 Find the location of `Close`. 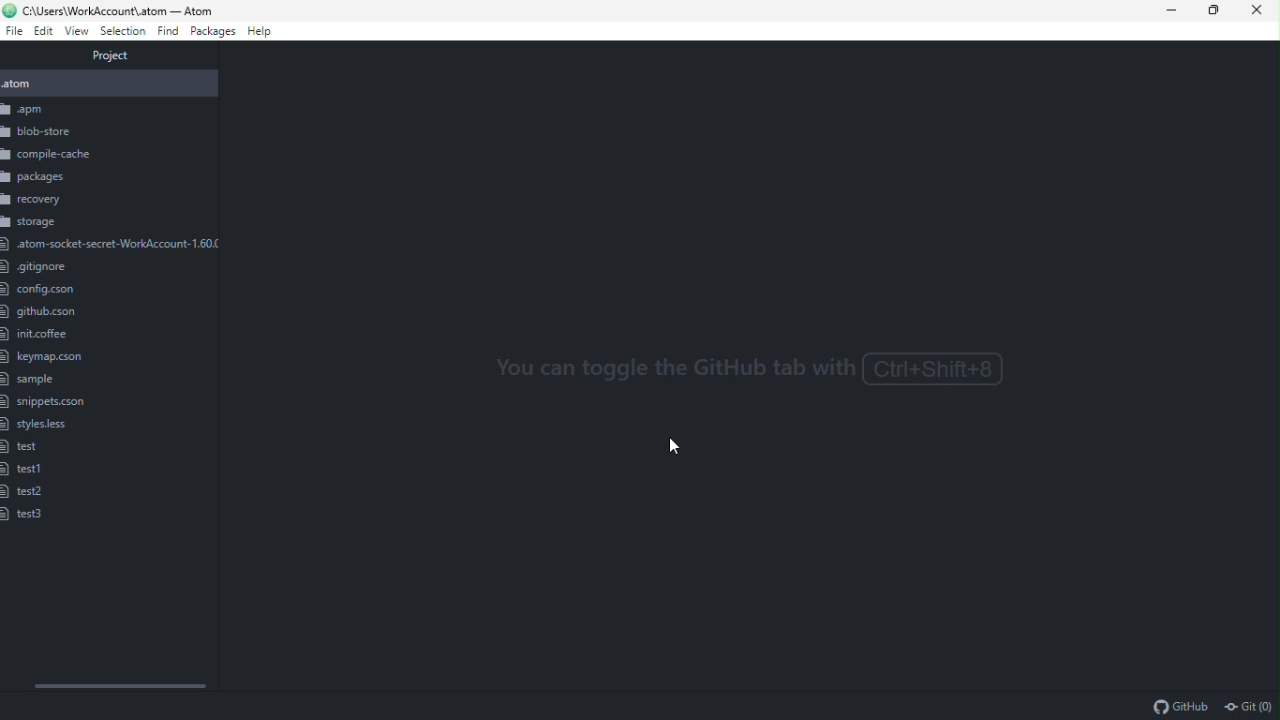

Close is located at coordinates (1259, 9).